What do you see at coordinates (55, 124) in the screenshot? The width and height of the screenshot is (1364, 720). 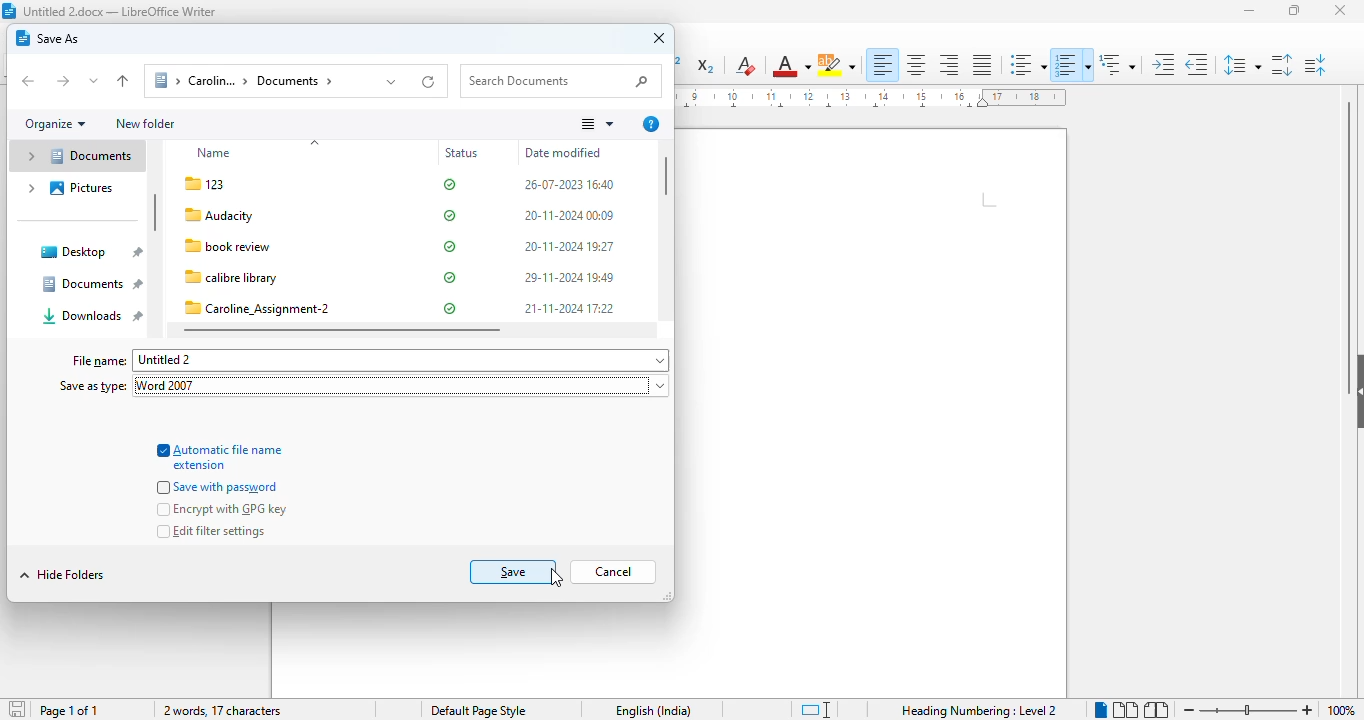 I see `organize` at bounding box center [55, 124].